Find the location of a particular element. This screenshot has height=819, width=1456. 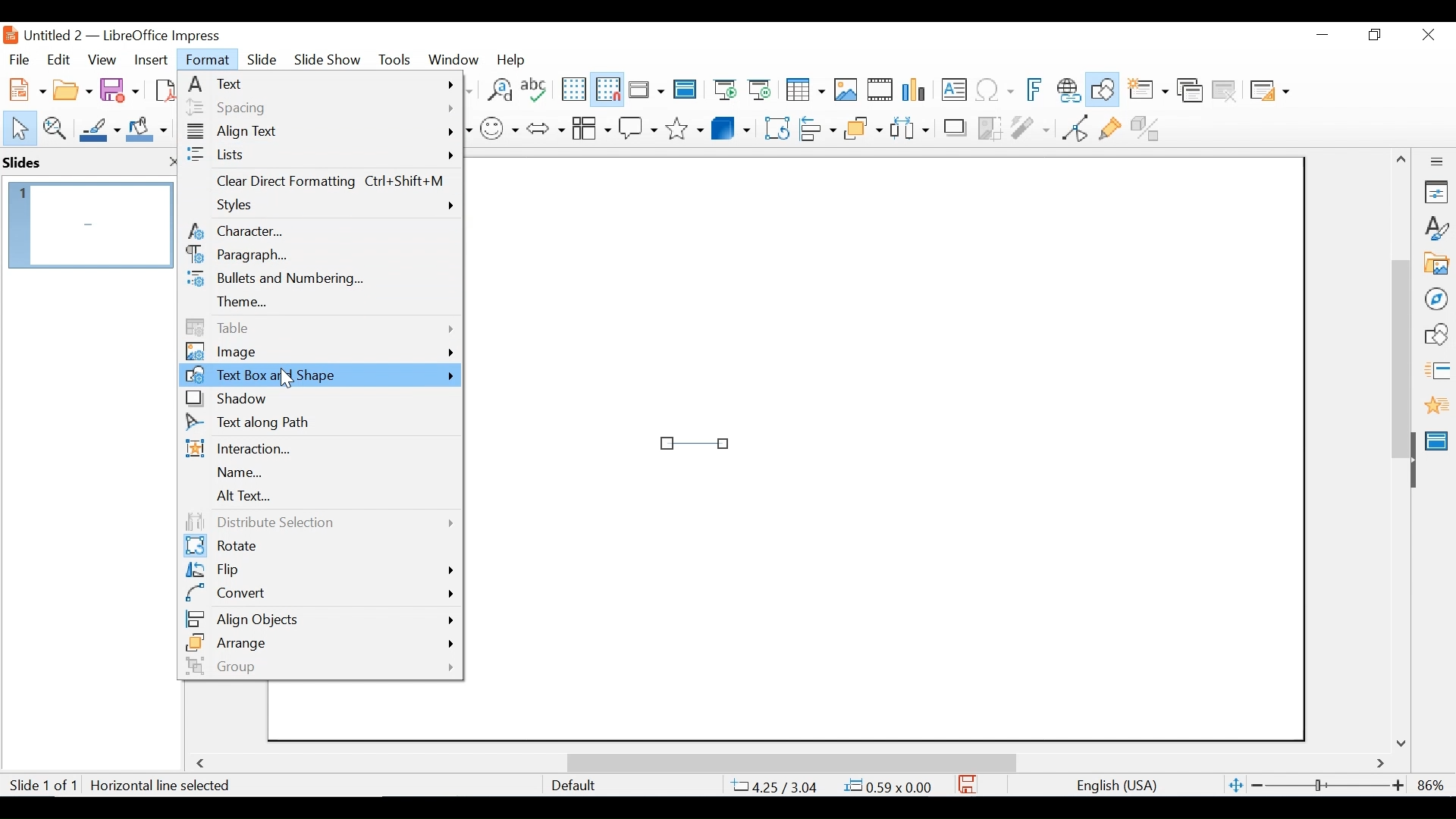

 is located at coordinates (591, 127).